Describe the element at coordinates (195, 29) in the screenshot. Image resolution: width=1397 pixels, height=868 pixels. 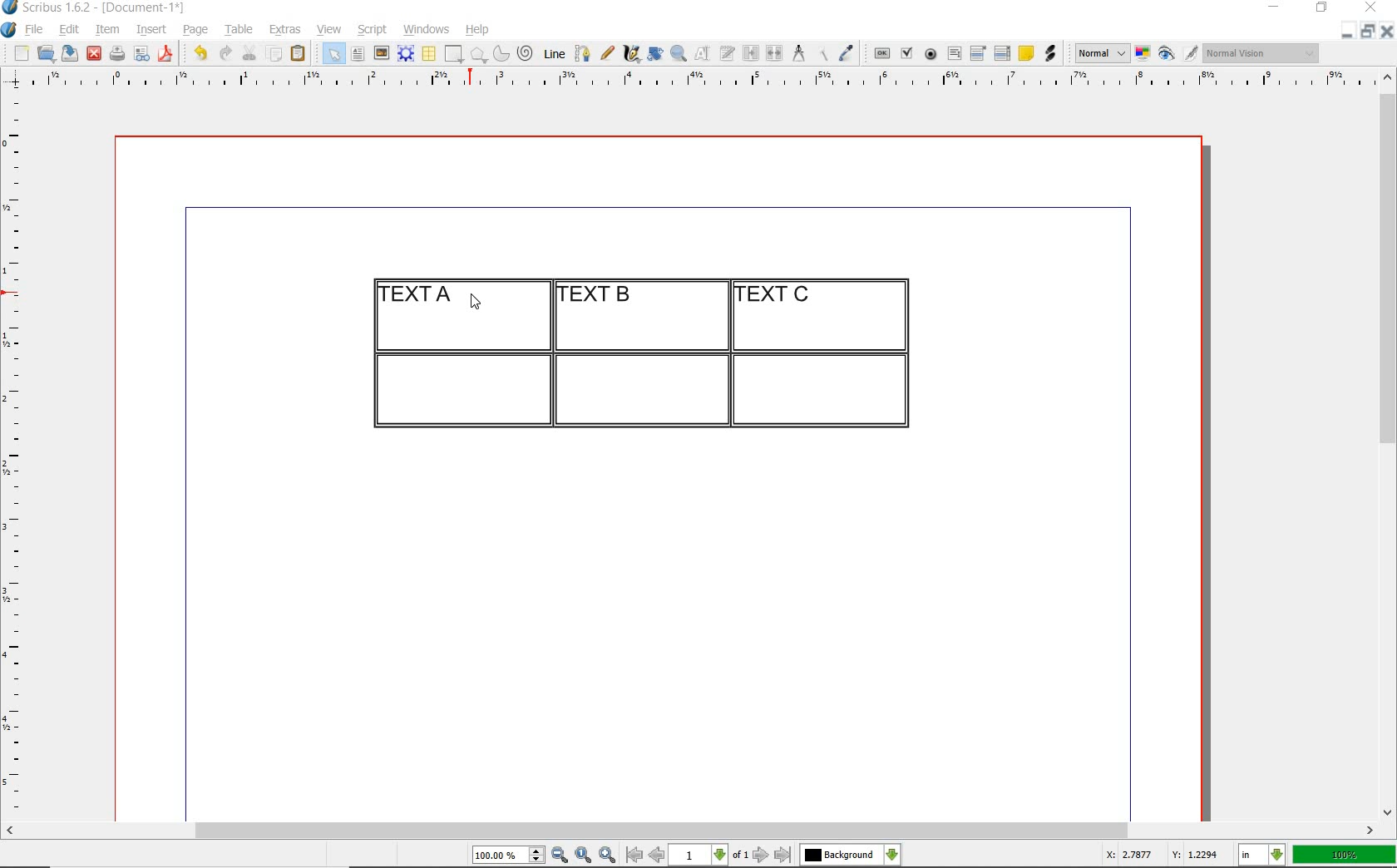
I see `page` at that location.